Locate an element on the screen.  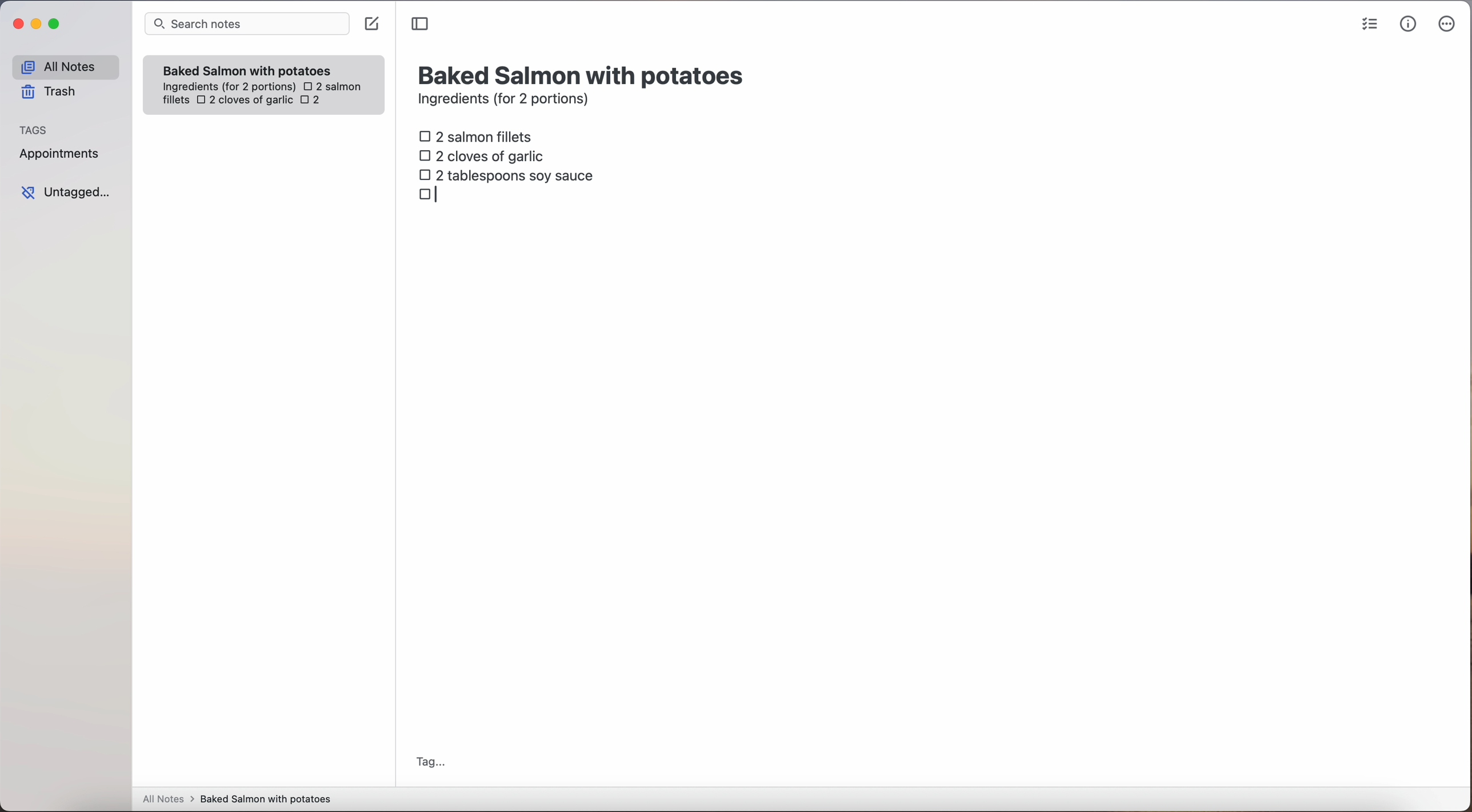
Baked Salmon with potatoes is located at coordinates (247, 68).